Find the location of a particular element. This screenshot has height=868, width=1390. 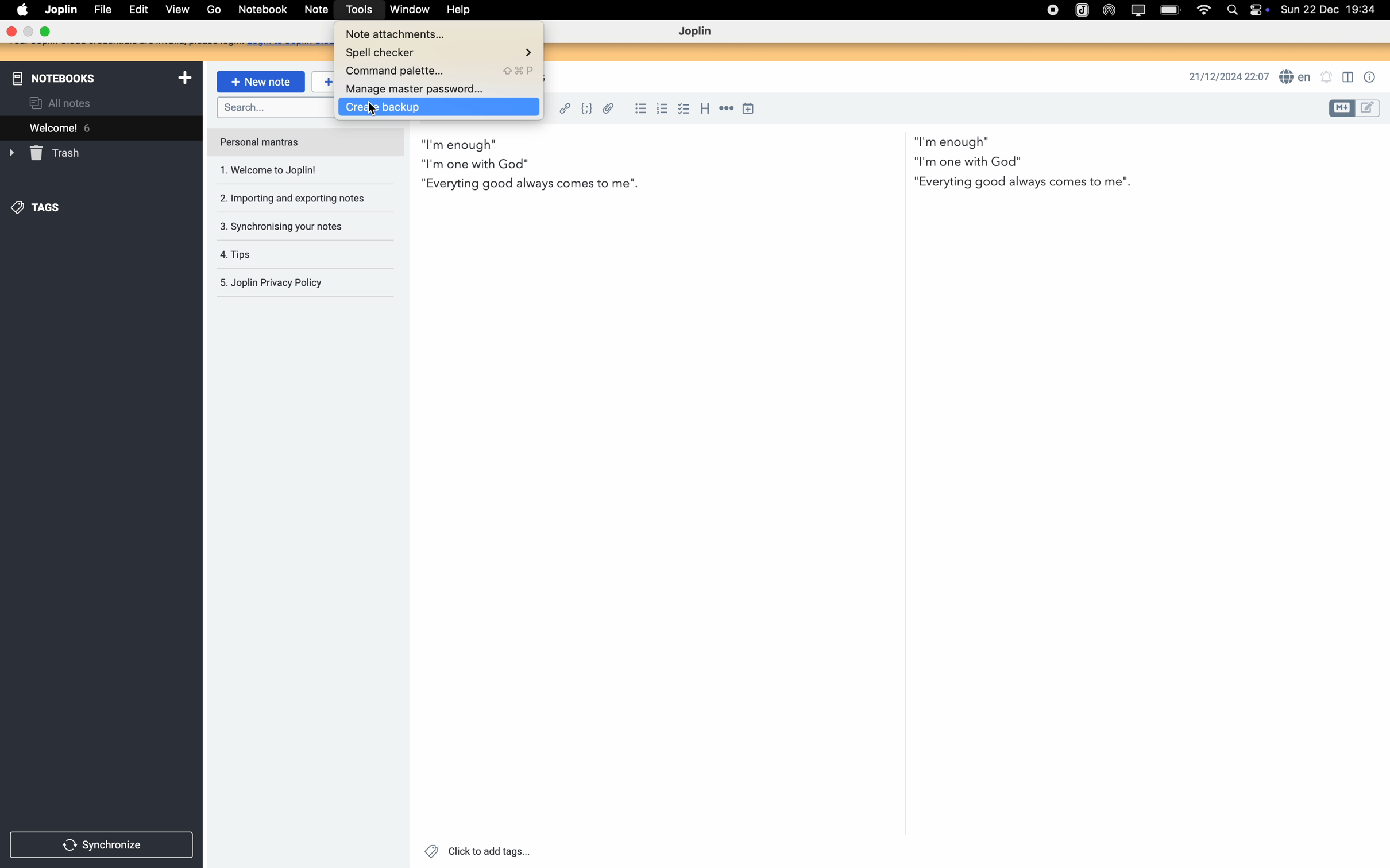

date and hour is located at coordinates (1333, 9).